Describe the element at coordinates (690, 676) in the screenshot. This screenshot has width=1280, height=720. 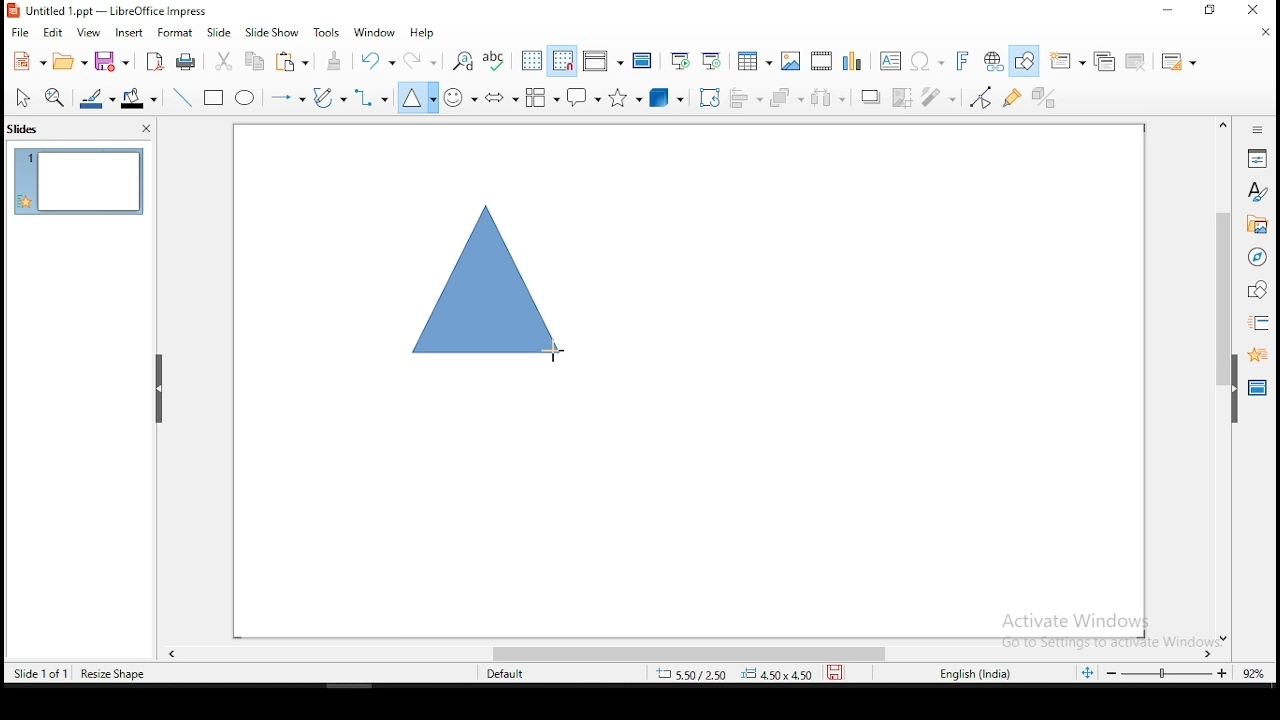
I see `6.9 / -0.26` at that location.